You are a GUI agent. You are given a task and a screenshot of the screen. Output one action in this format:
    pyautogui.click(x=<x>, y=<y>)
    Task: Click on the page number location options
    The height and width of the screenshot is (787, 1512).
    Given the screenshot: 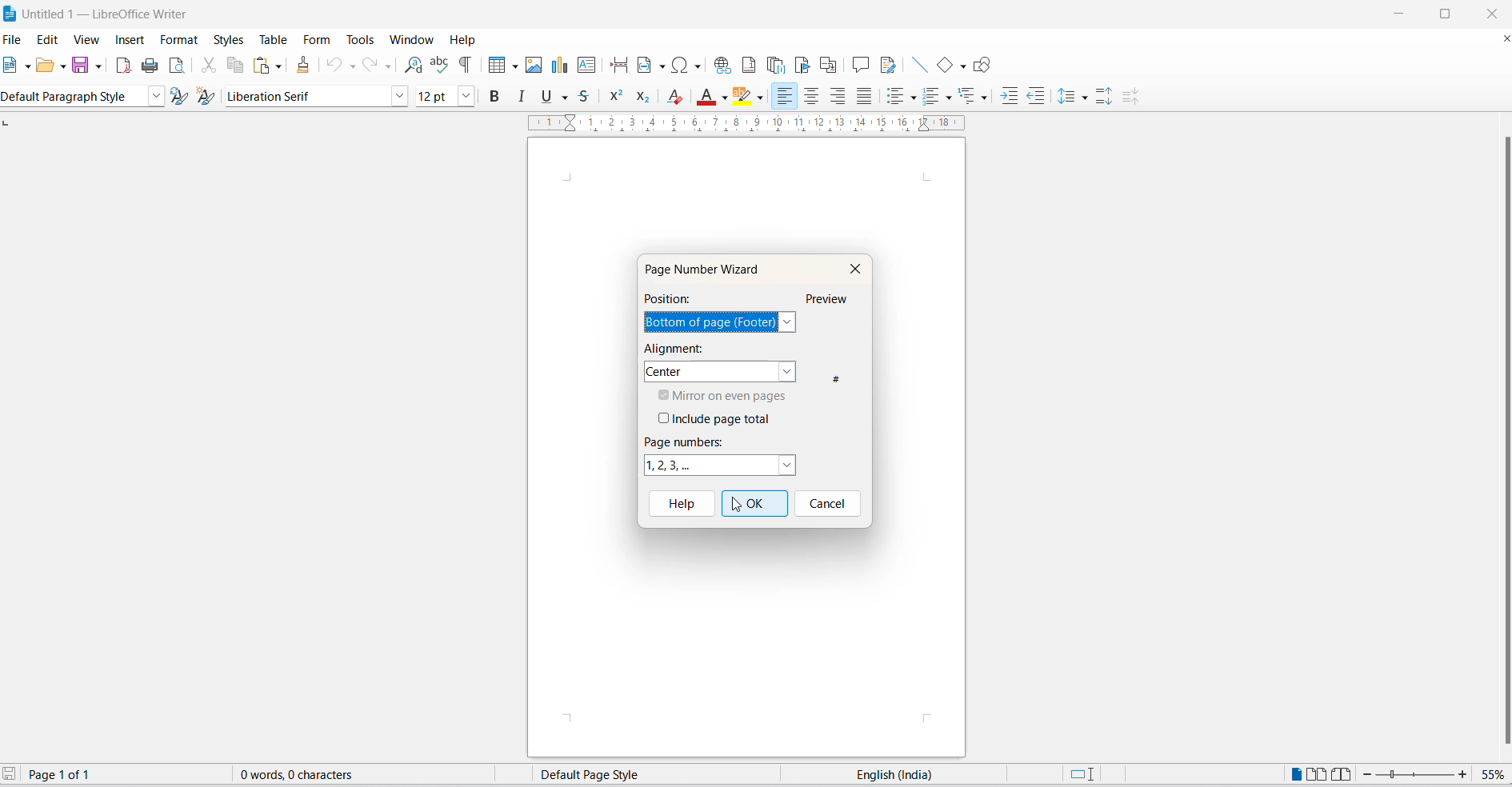 What is the action you would take?
    pyautogui.click(x=790, y=322)
    